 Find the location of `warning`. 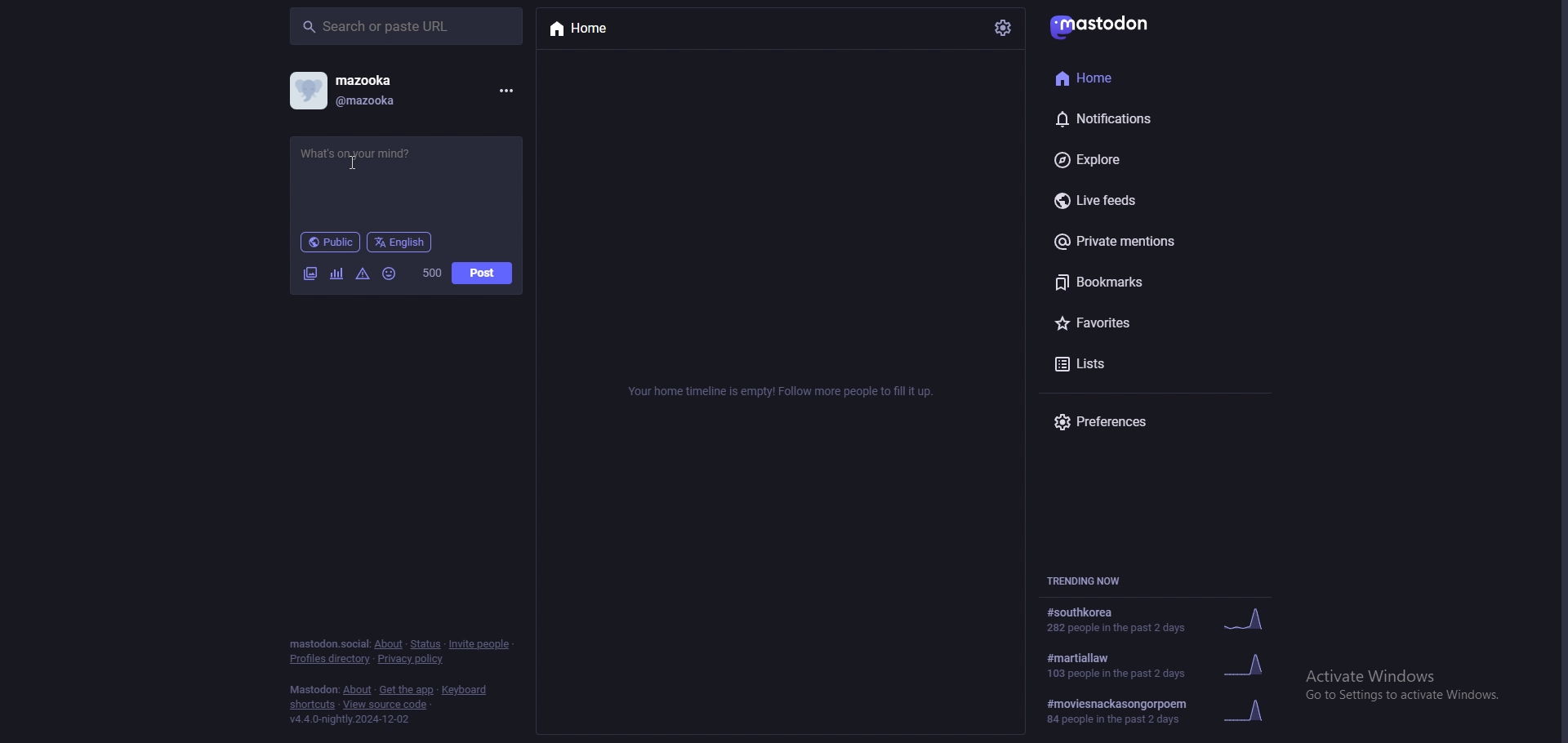

warning is located at coordinates (363, 275).